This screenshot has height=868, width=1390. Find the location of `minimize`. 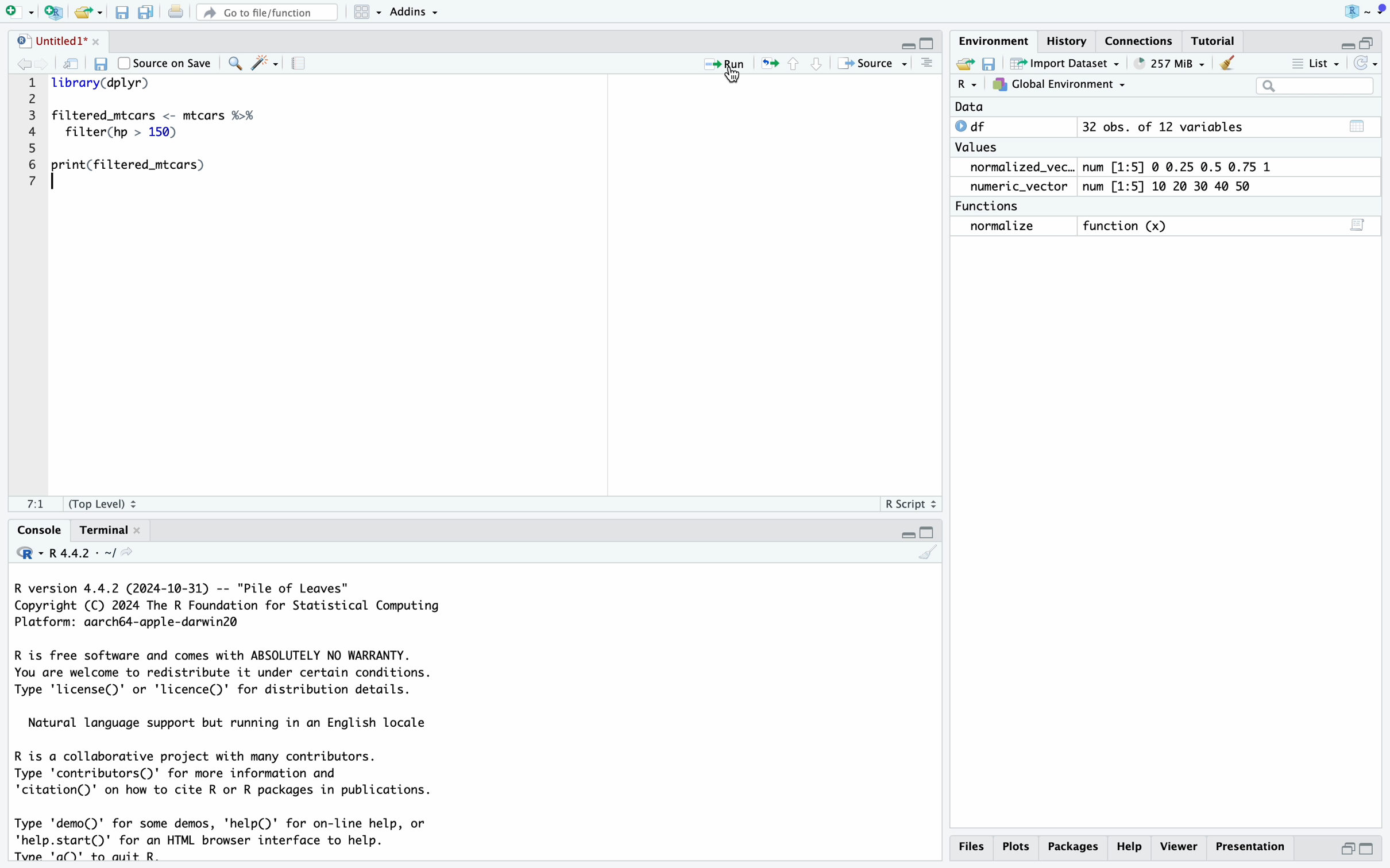

minimize is located at coordinates (908, 47).